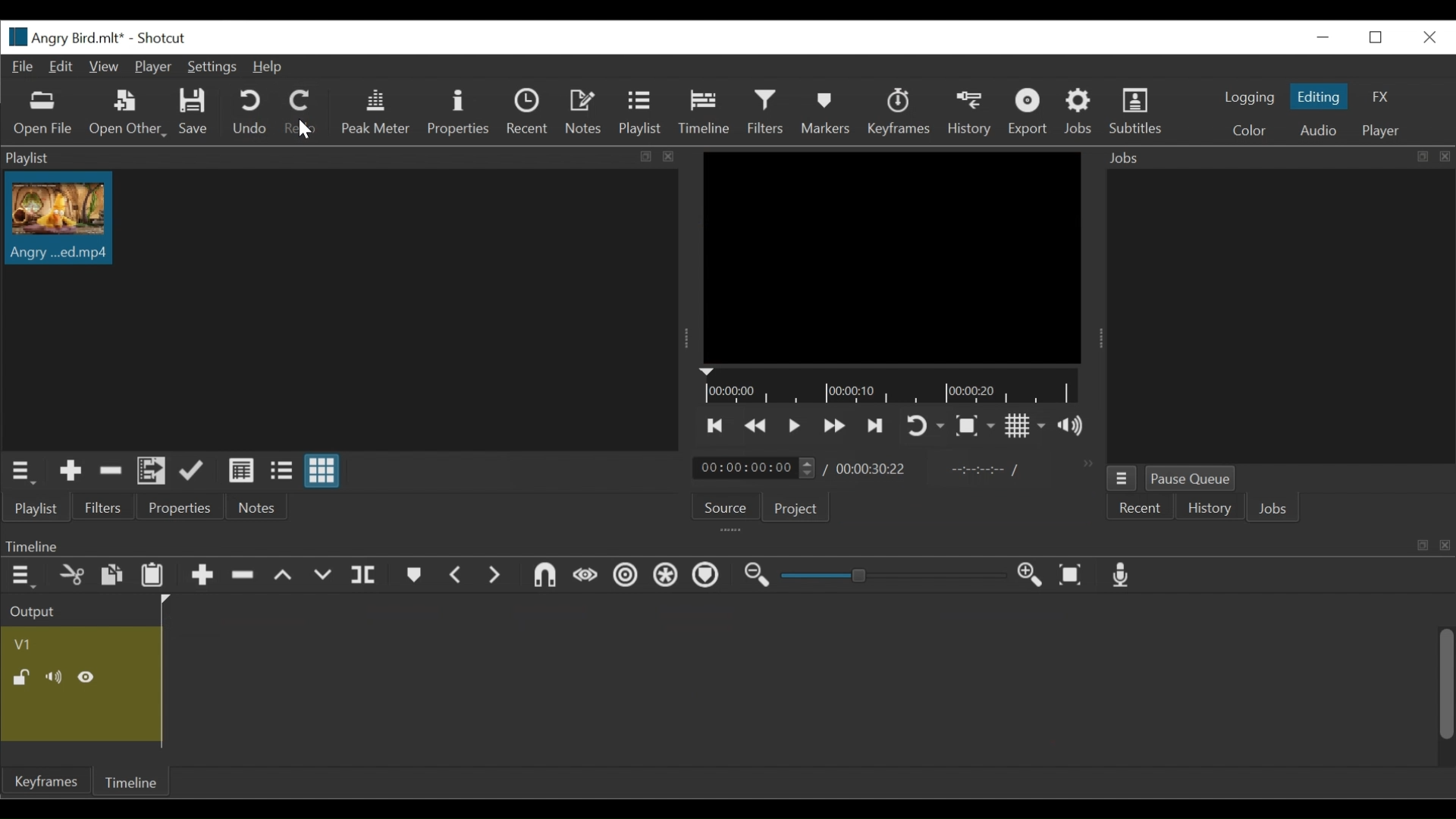 The image size is (1456, 819). Describe the element at coordinates (925, 427) in the screenshot. I see `Toggle player looping` at that location.